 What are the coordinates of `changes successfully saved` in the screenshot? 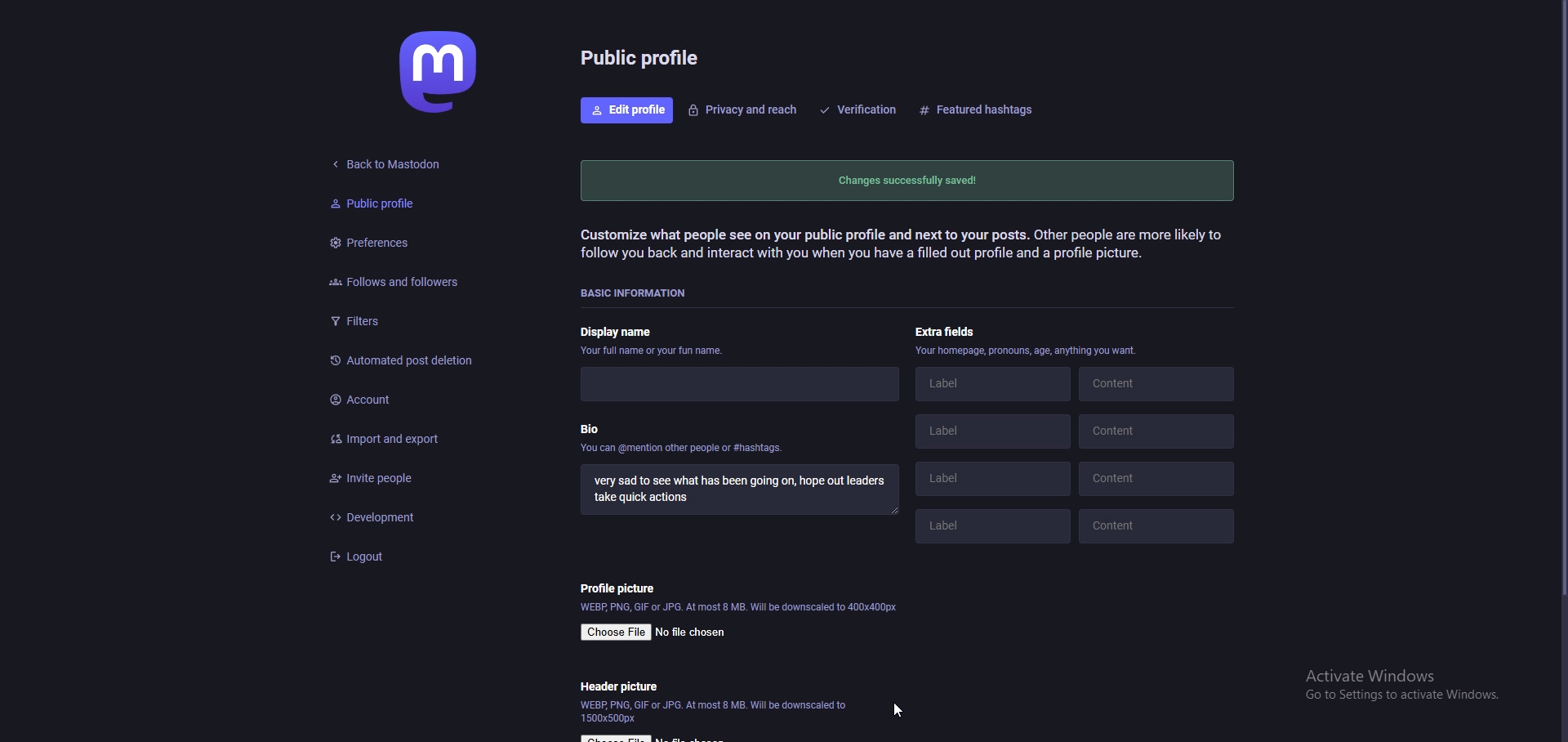 It's located at (906, 178).